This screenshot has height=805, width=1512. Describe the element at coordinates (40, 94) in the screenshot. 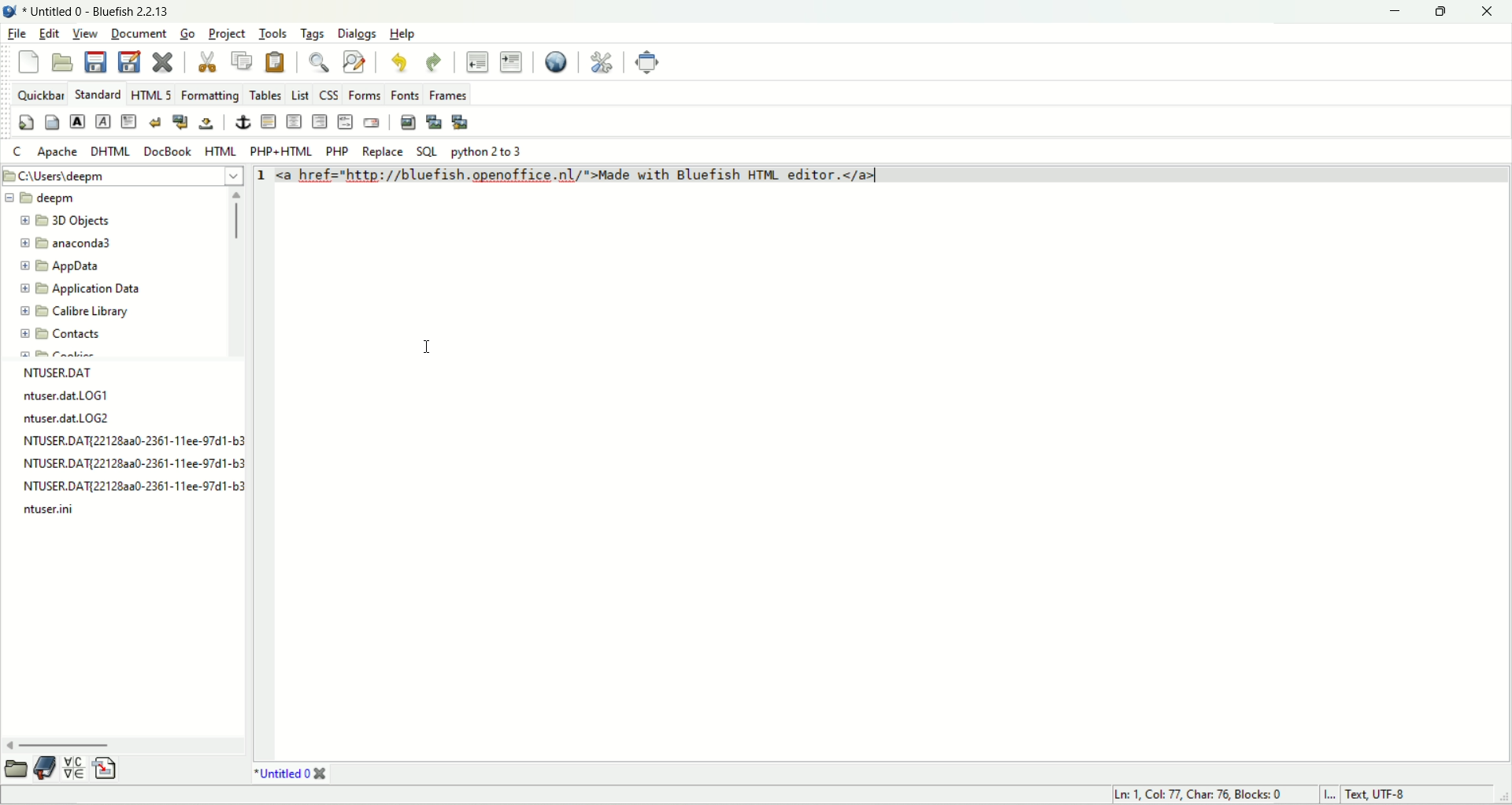

I see `Quickbar` at that location.